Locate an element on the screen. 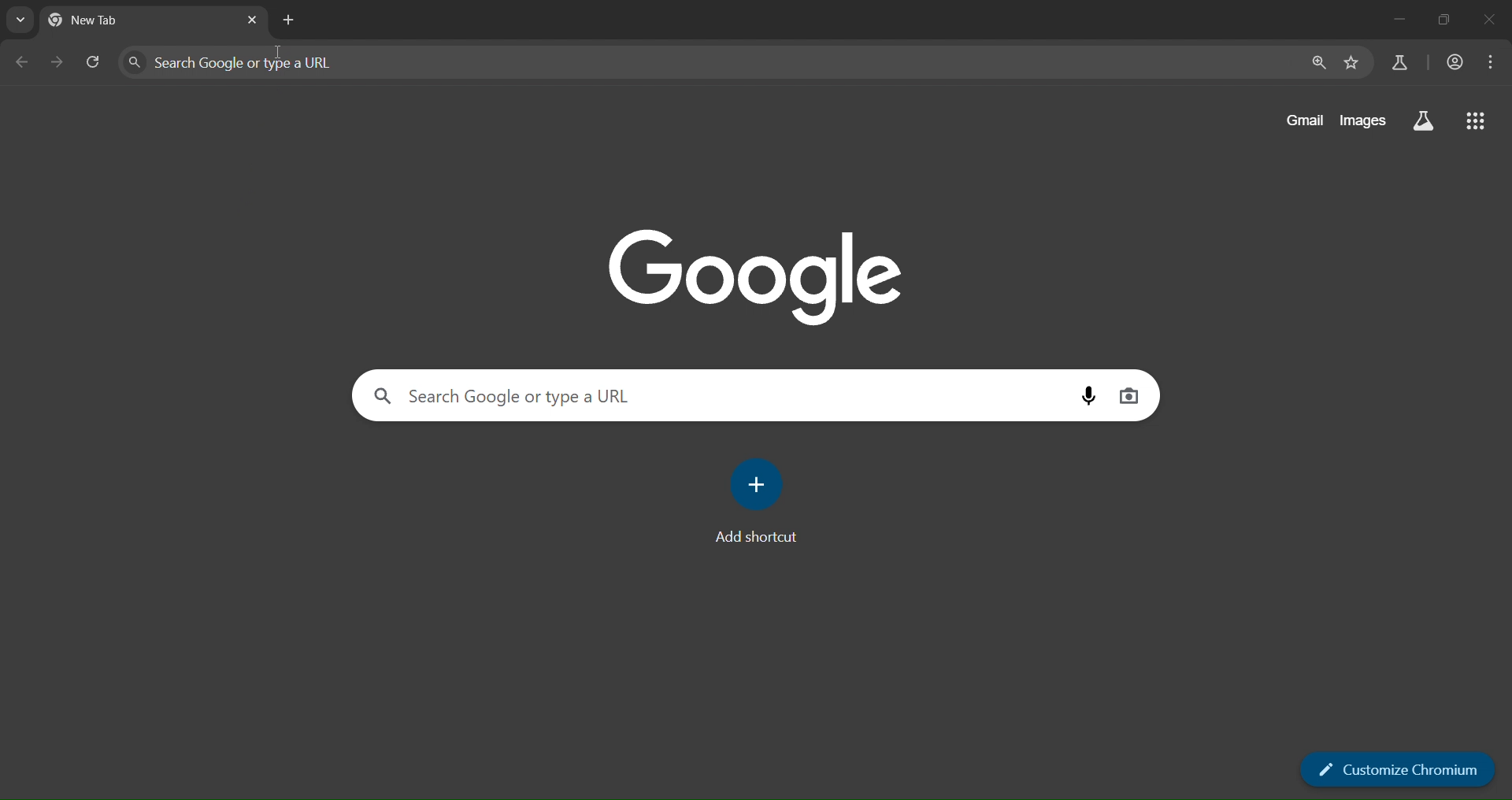 Image resolution: width=1512 pixels, height=800 pixels. close tab is located at coordinates (254, 22).